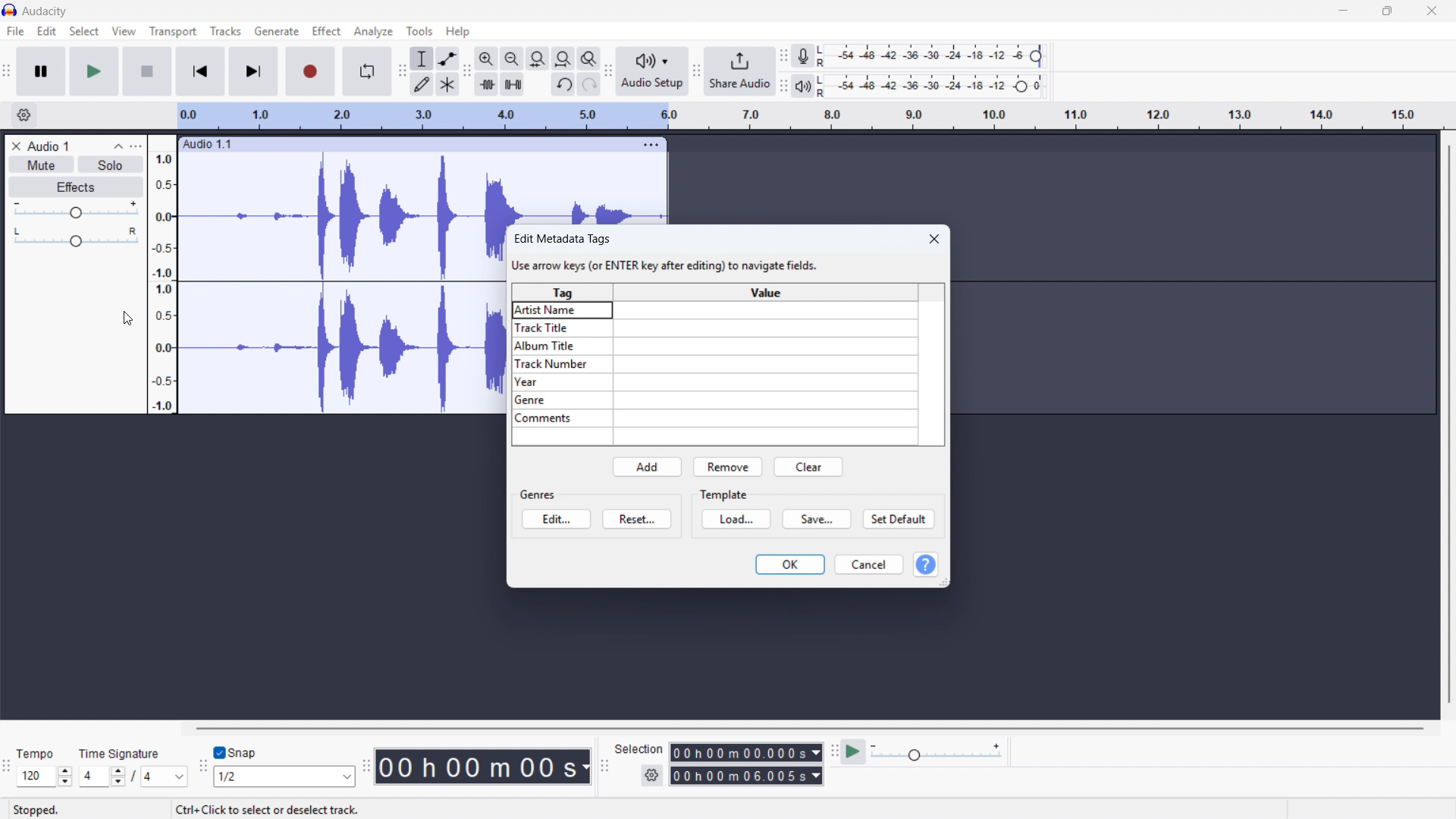 Image resolution: width=1456 pixels, height=819 pixels. I want to click on remove, so click(727, 467).